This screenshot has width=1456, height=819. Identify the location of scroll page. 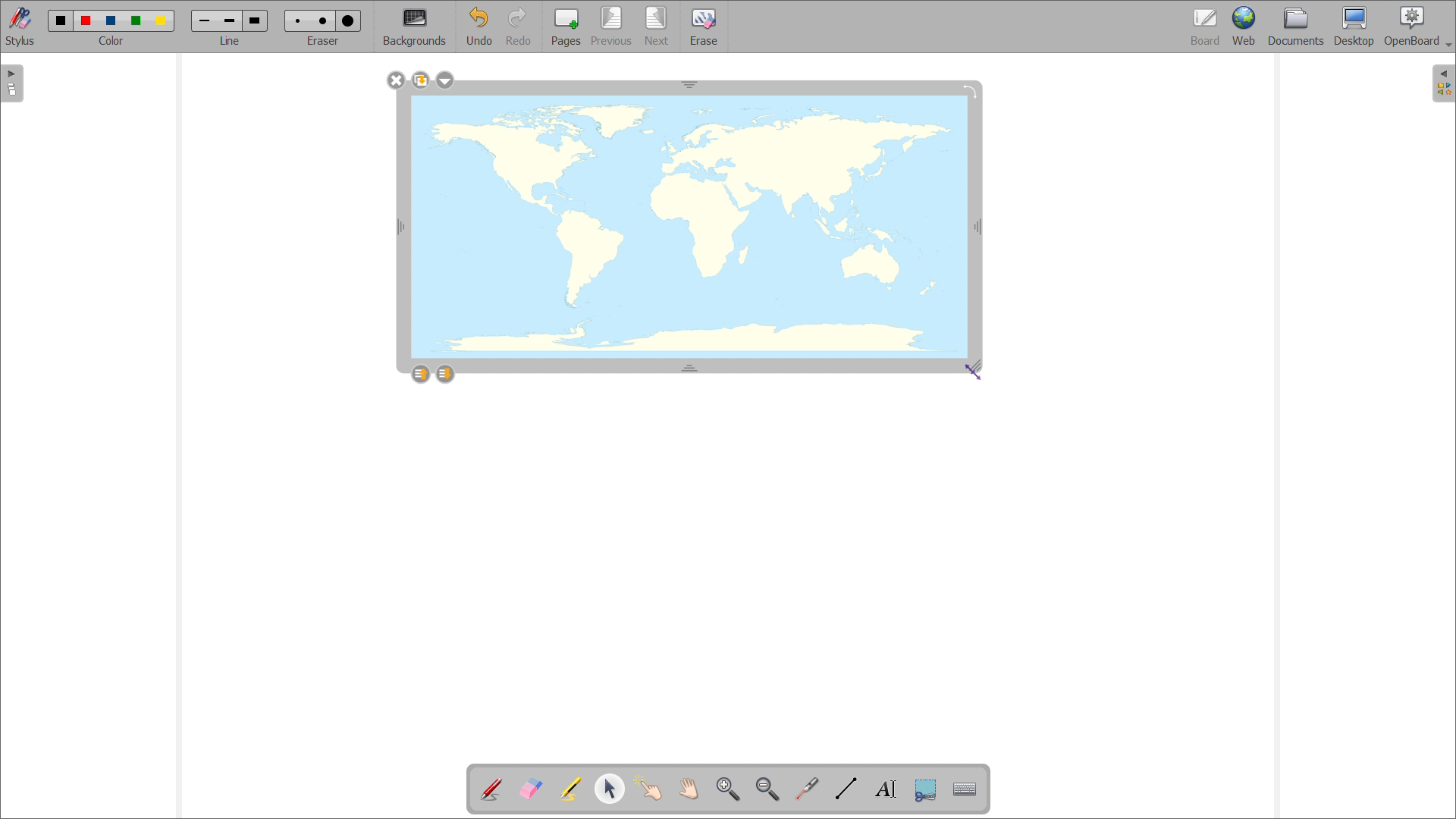
(689, 788).